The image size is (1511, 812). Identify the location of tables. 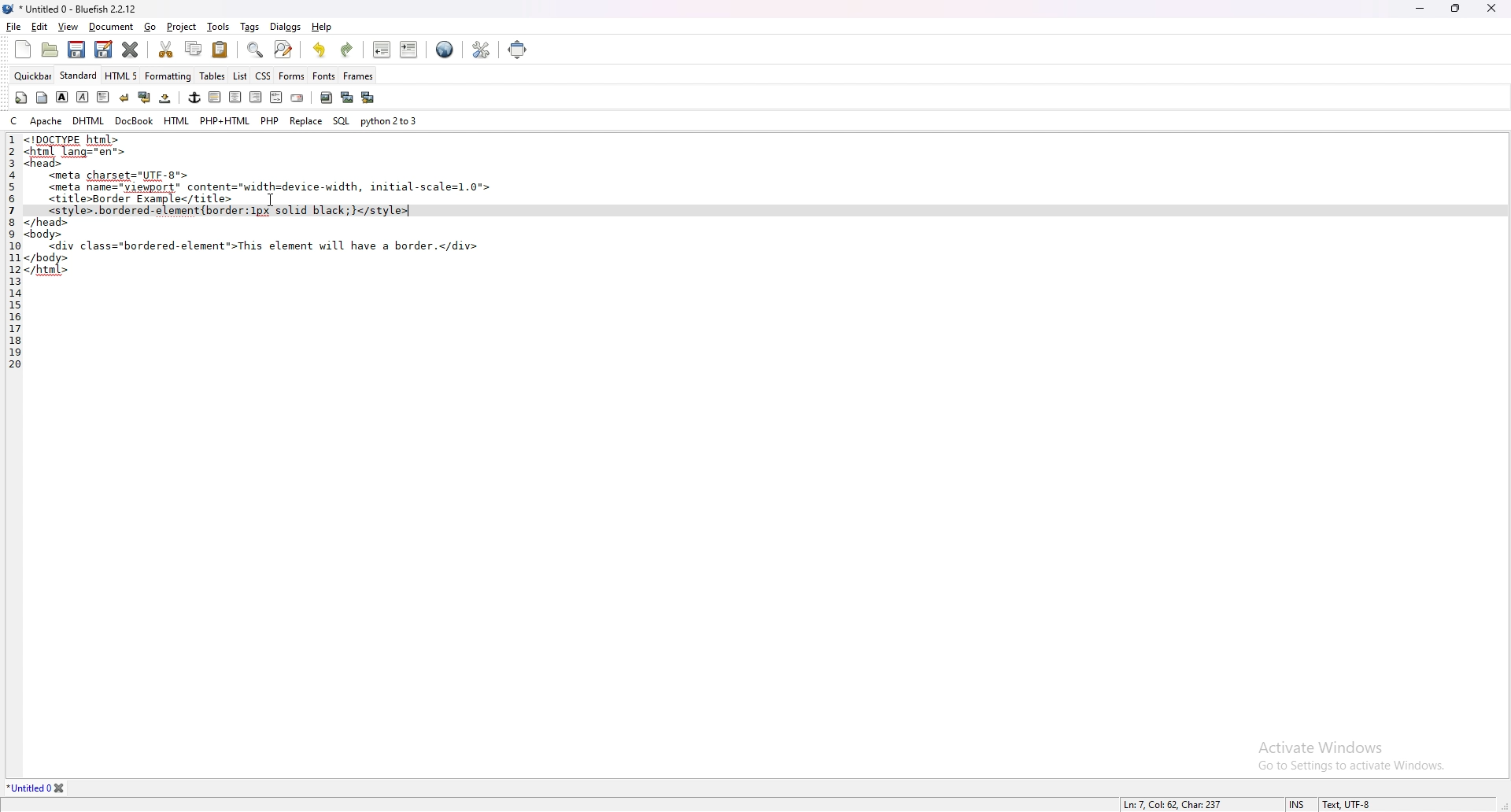
(213, 76).